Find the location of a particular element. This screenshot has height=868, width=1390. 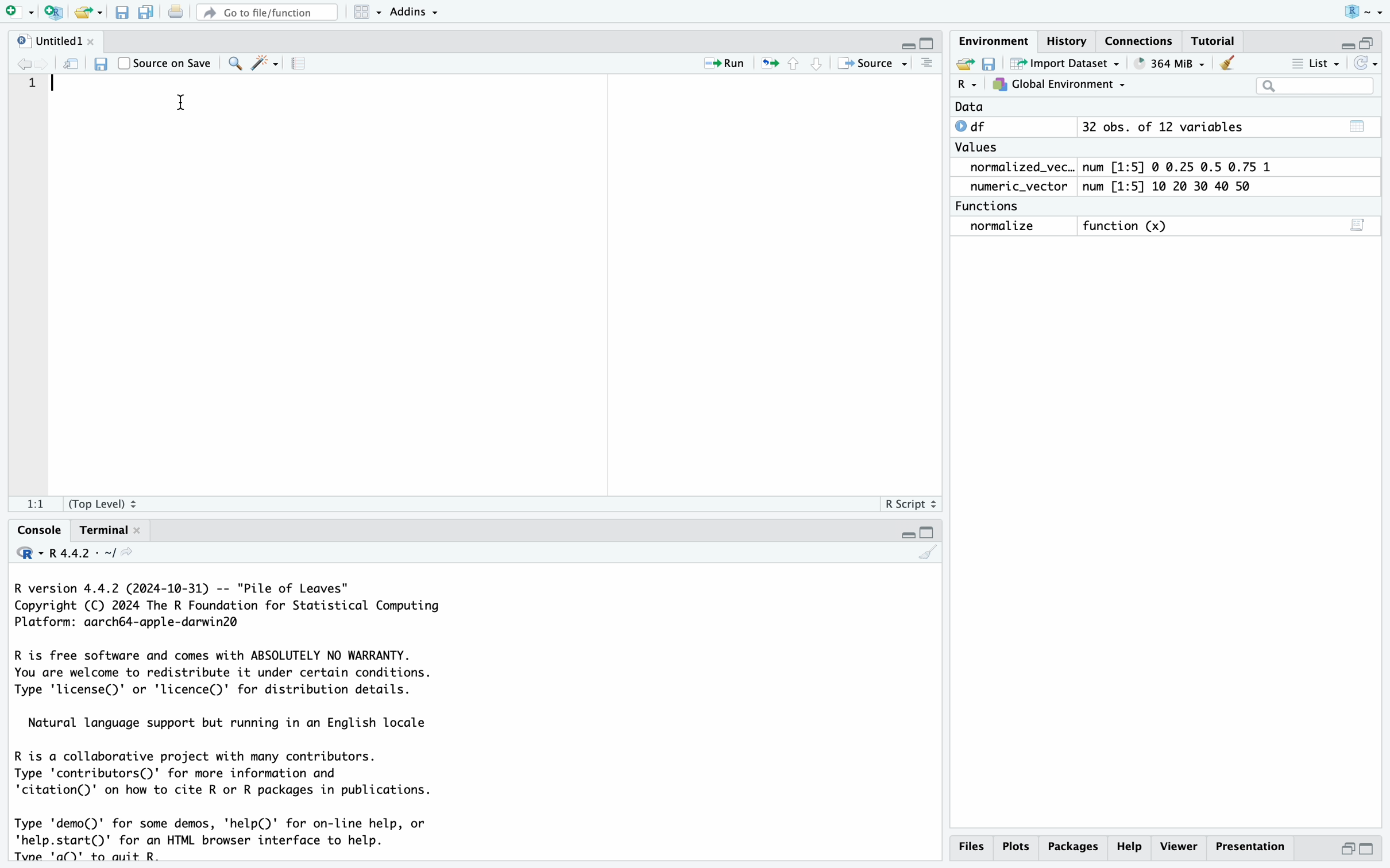

List is located at coordinates (1318, 65).